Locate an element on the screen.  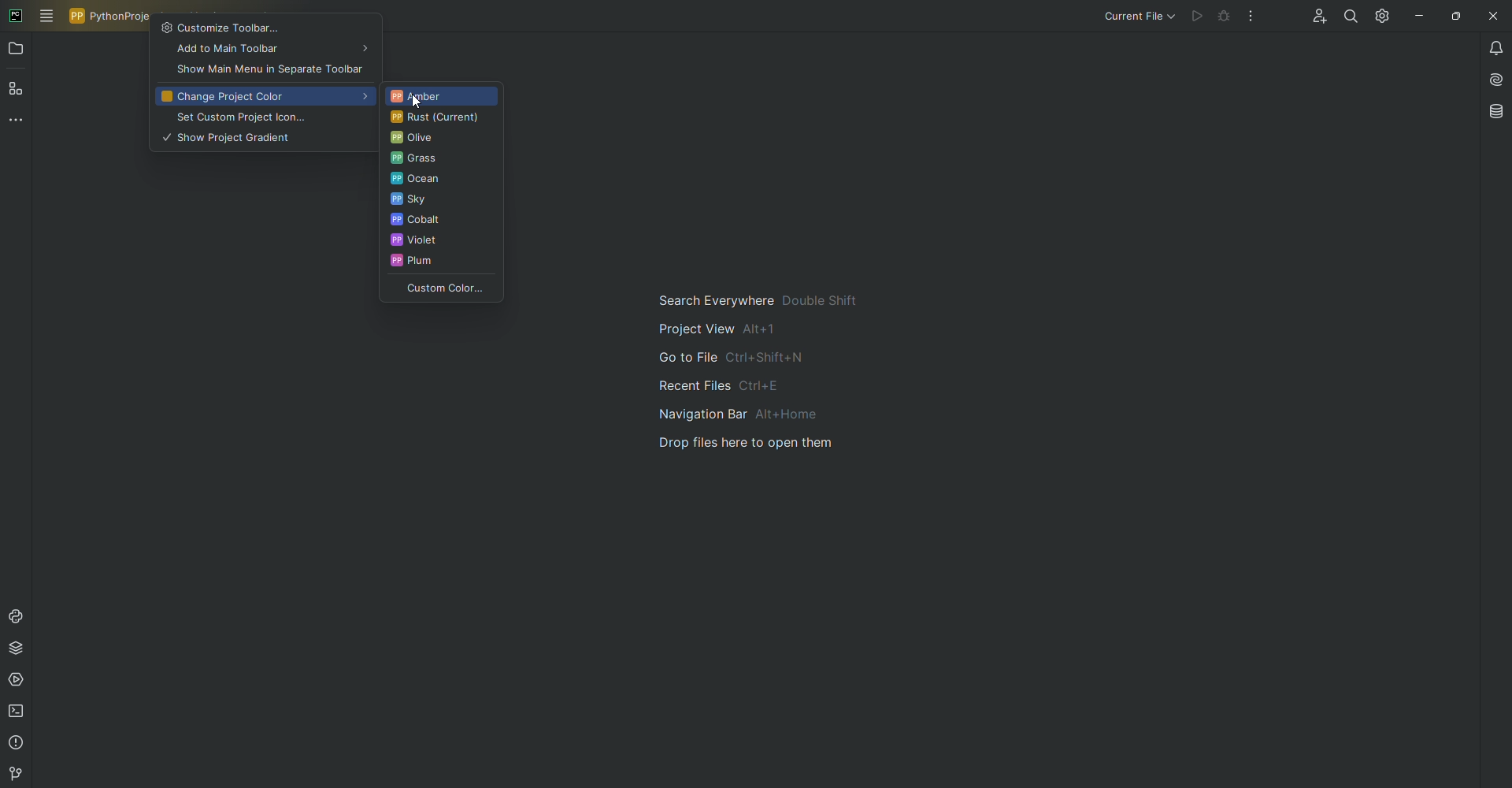
PyCharm is located at coordinates (16, 14).